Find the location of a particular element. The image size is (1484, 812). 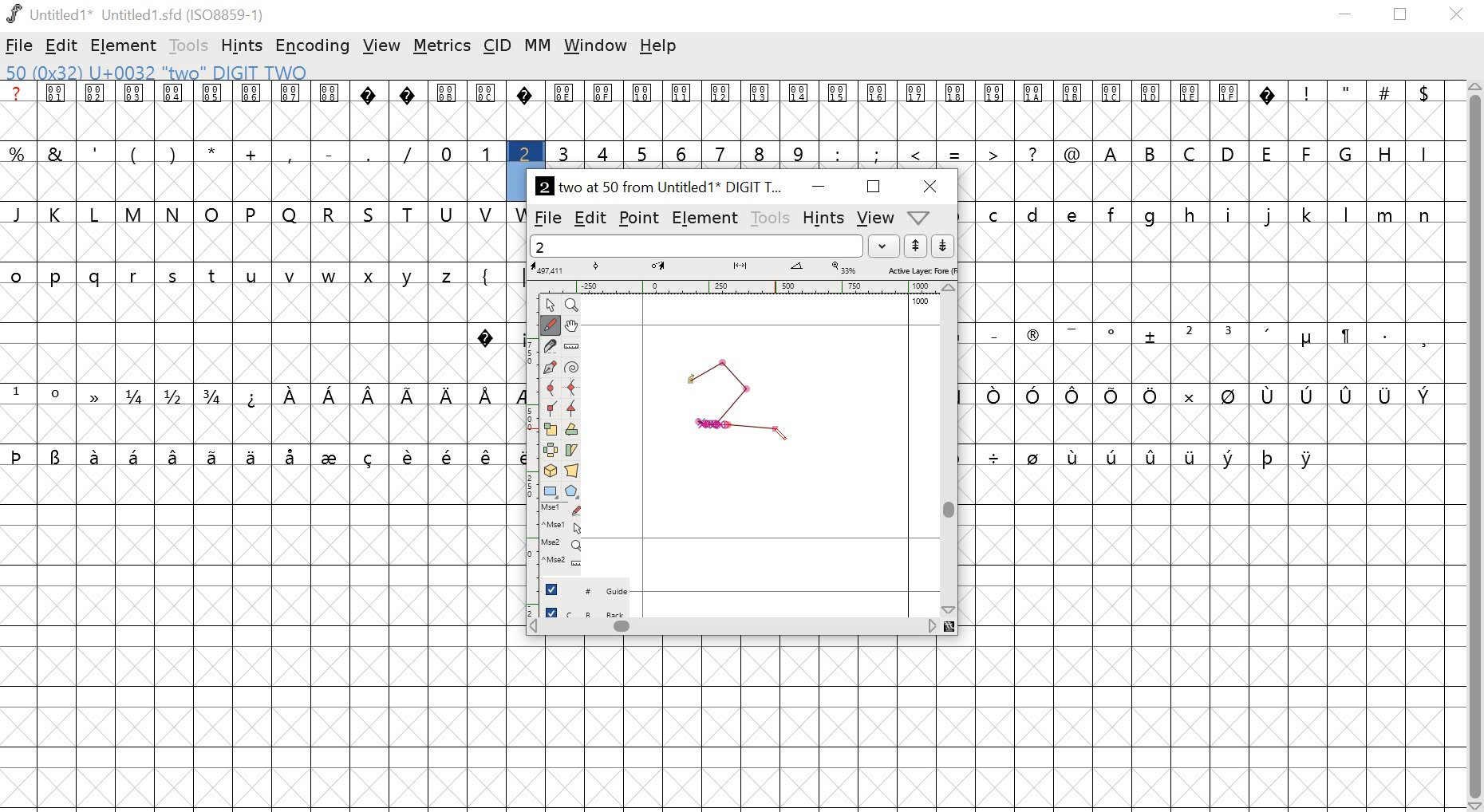

drawn number 2 glyph is located at coordinates (727, 404).